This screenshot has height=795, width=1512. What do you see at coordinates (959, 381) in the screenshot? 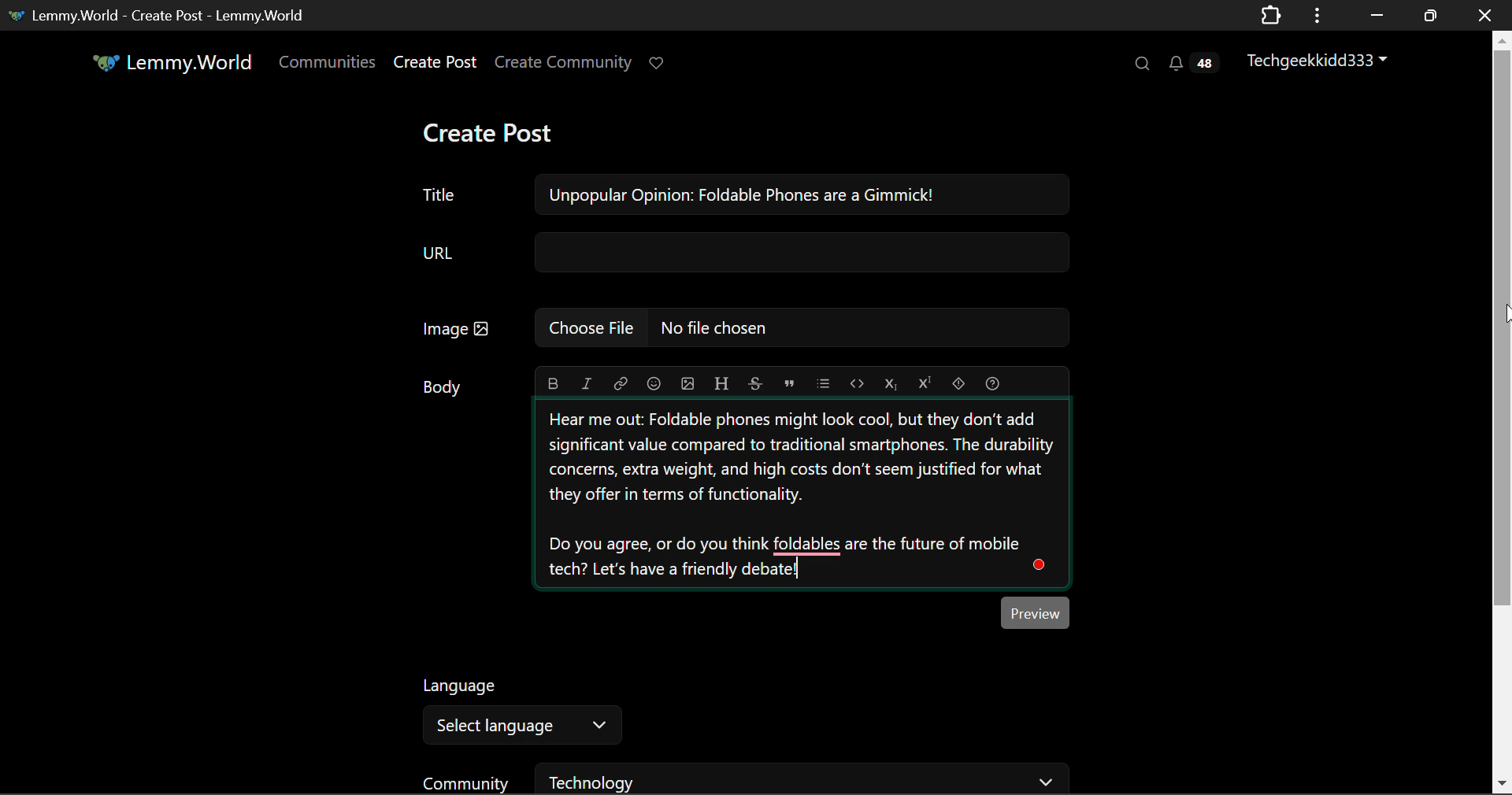
I see `spoiler` at bounding box center [959, 381].